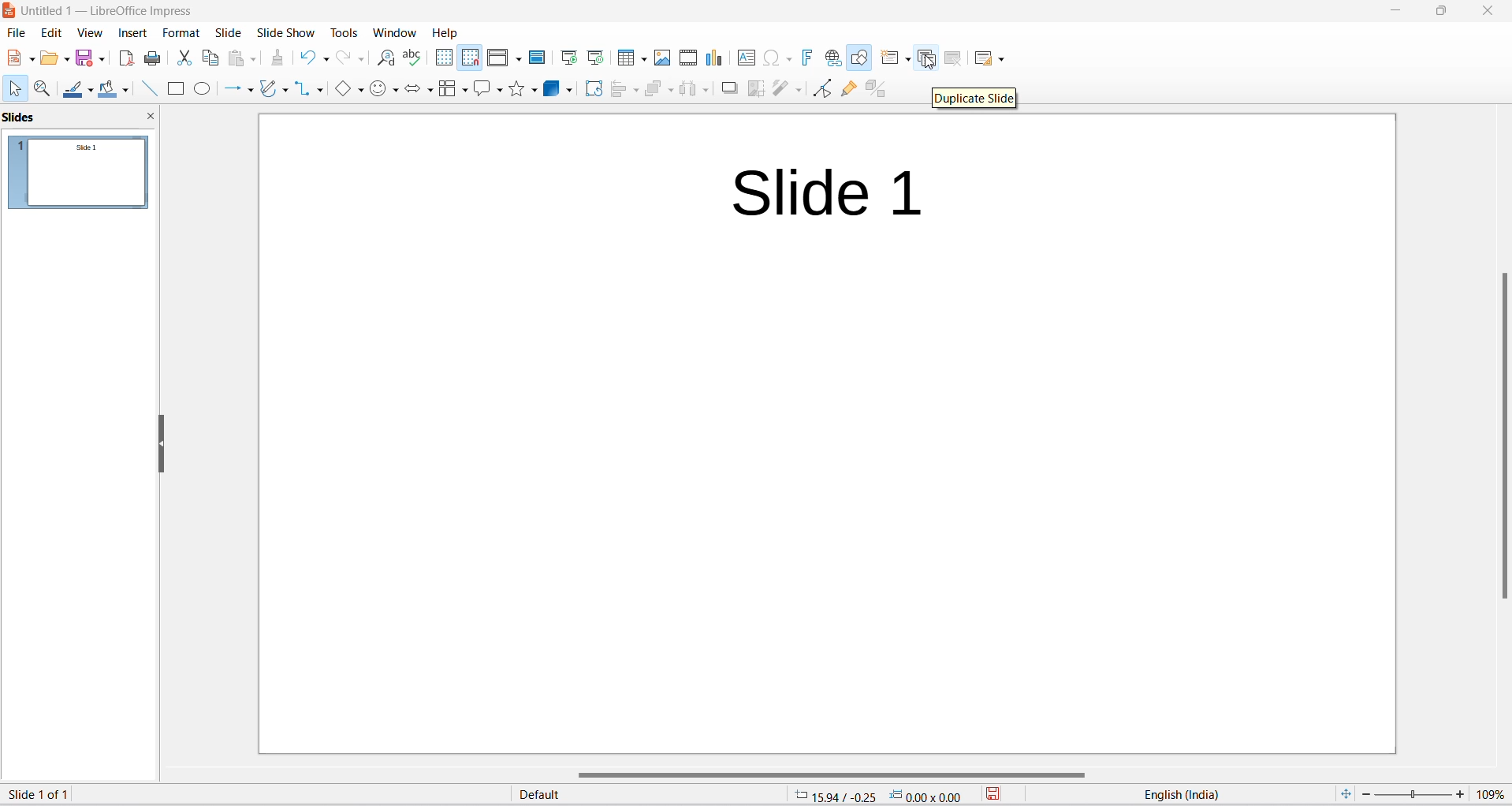 The height and width of the screenshot is (806, 1512). What do you see at coordinates (152, 116) in the screenshot?
I see `close slide pane` at bounding box center [152, 116].